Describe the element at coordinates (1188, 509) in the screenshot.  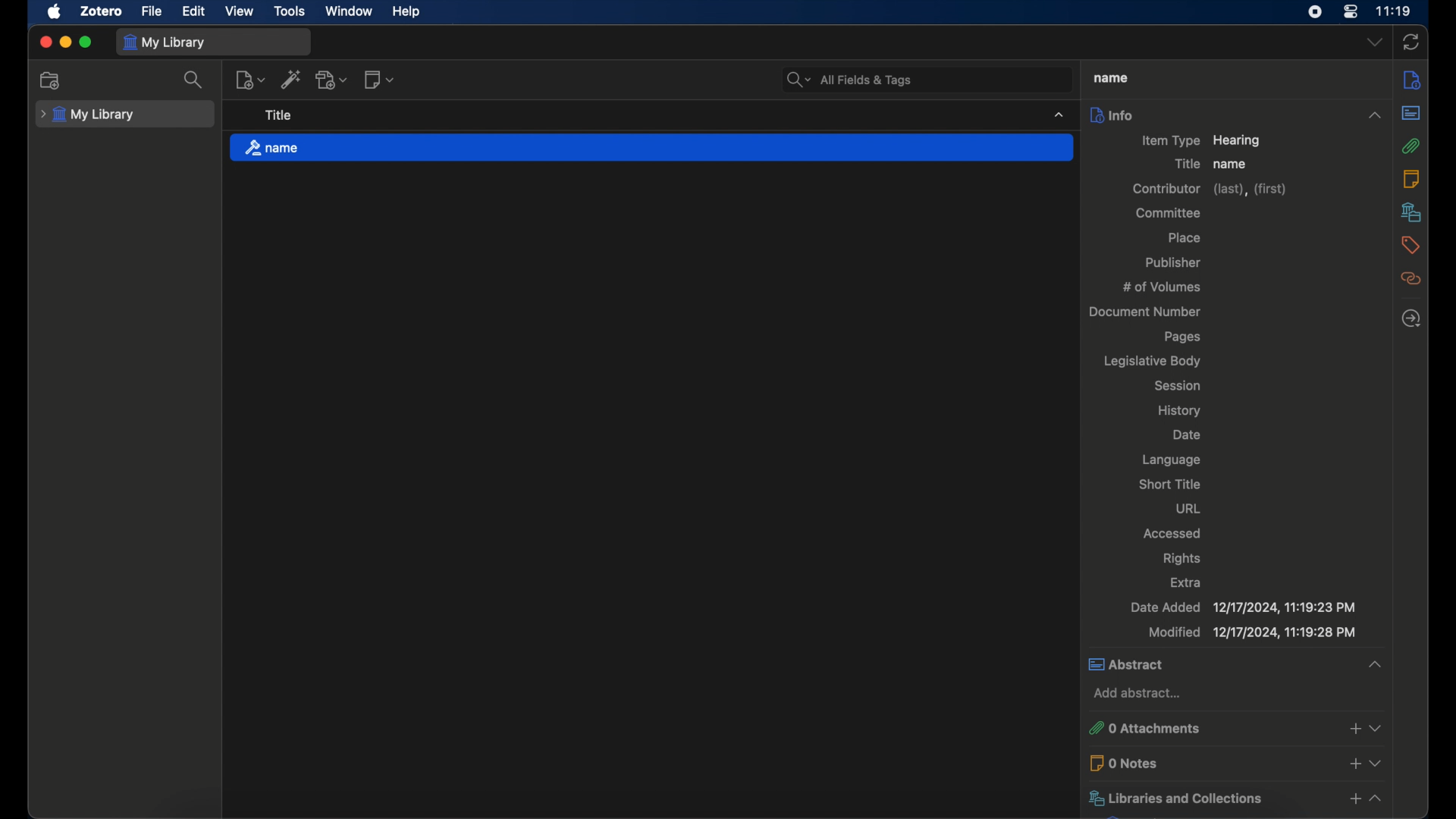
I see `url` at that location.